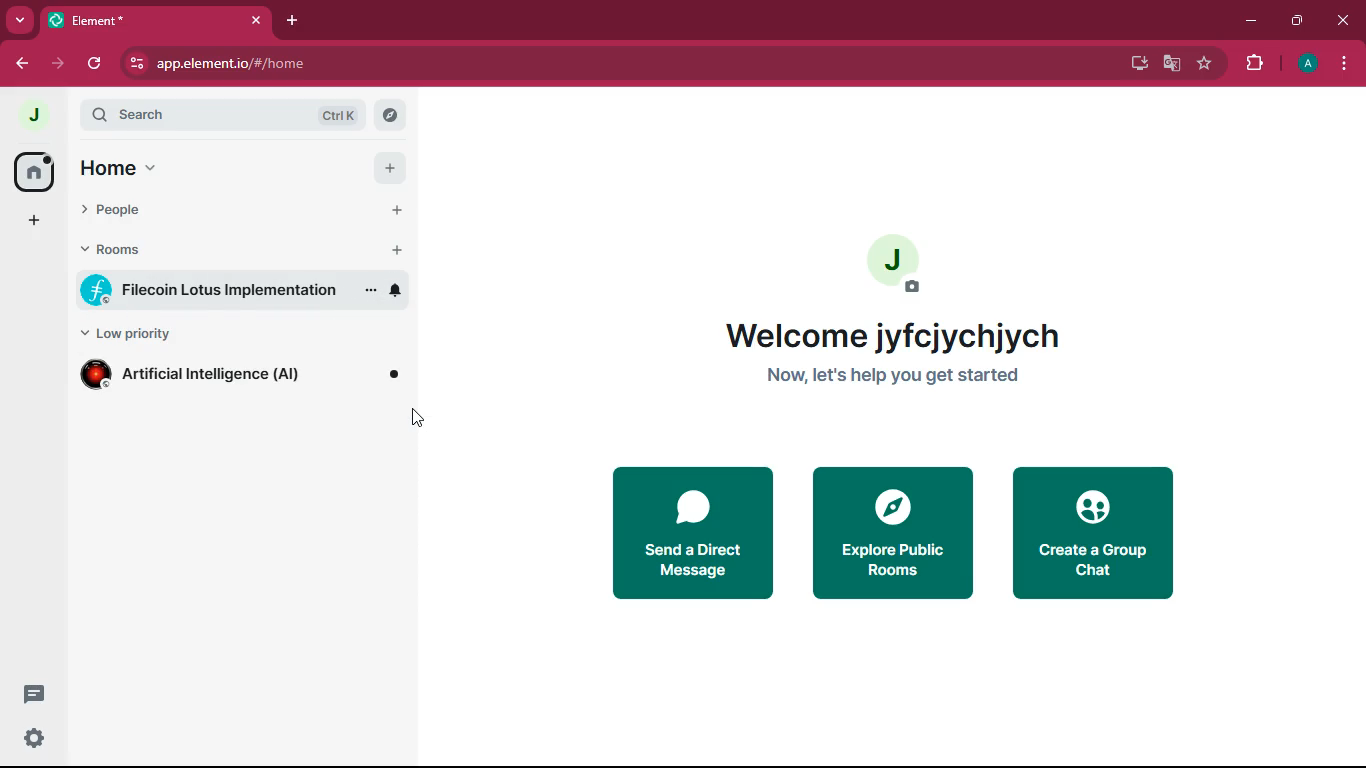 The height and width of the screenshot is (768, 1366). What do you see at coordinates (892, 335) in the screenshot?
I see `welcome` at bounding box center [892, 335].